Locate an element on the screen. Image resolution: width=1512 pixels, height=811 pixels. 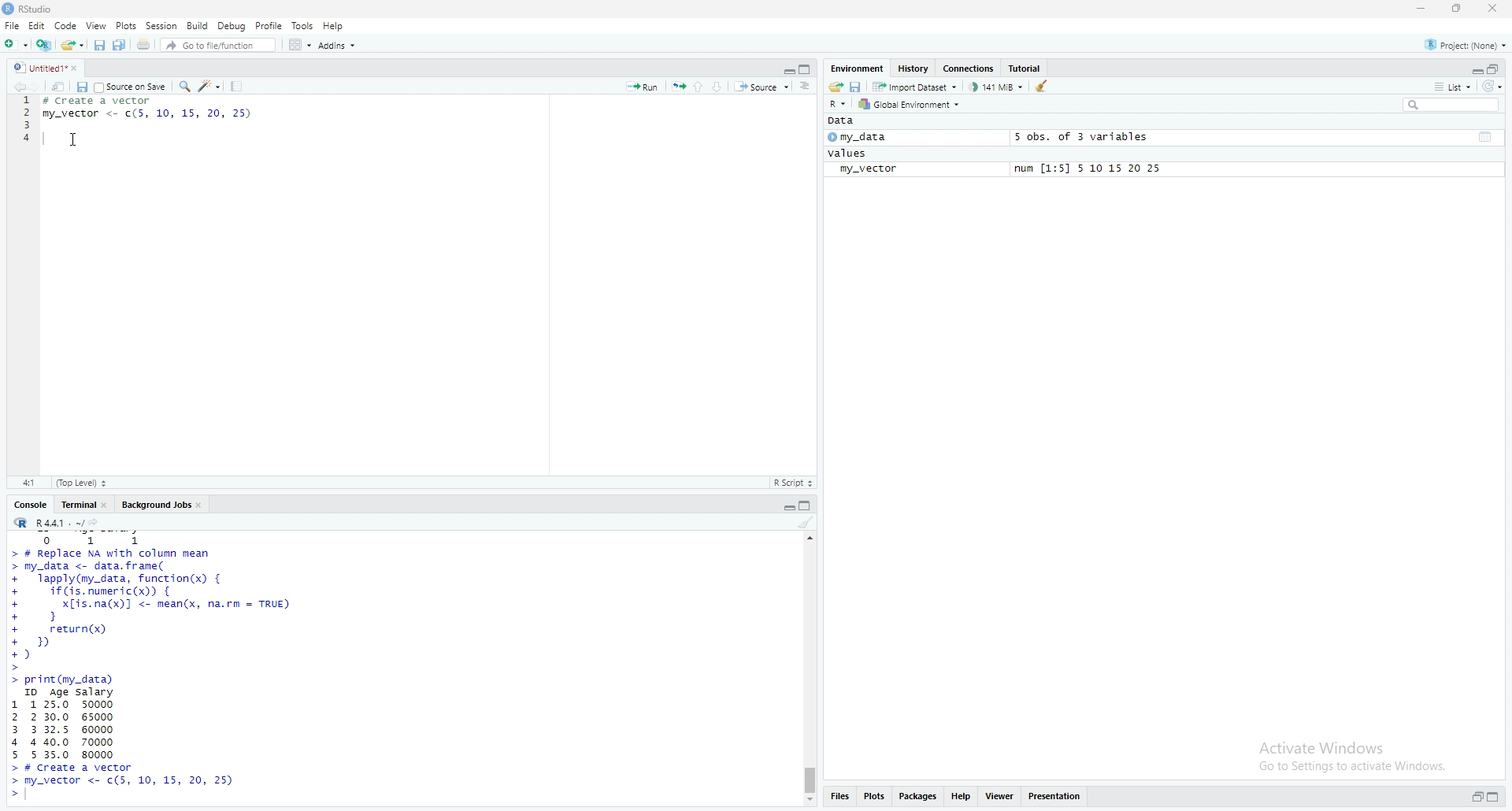
5 obs. of 3 variables is located at coordinates (1081, 137).